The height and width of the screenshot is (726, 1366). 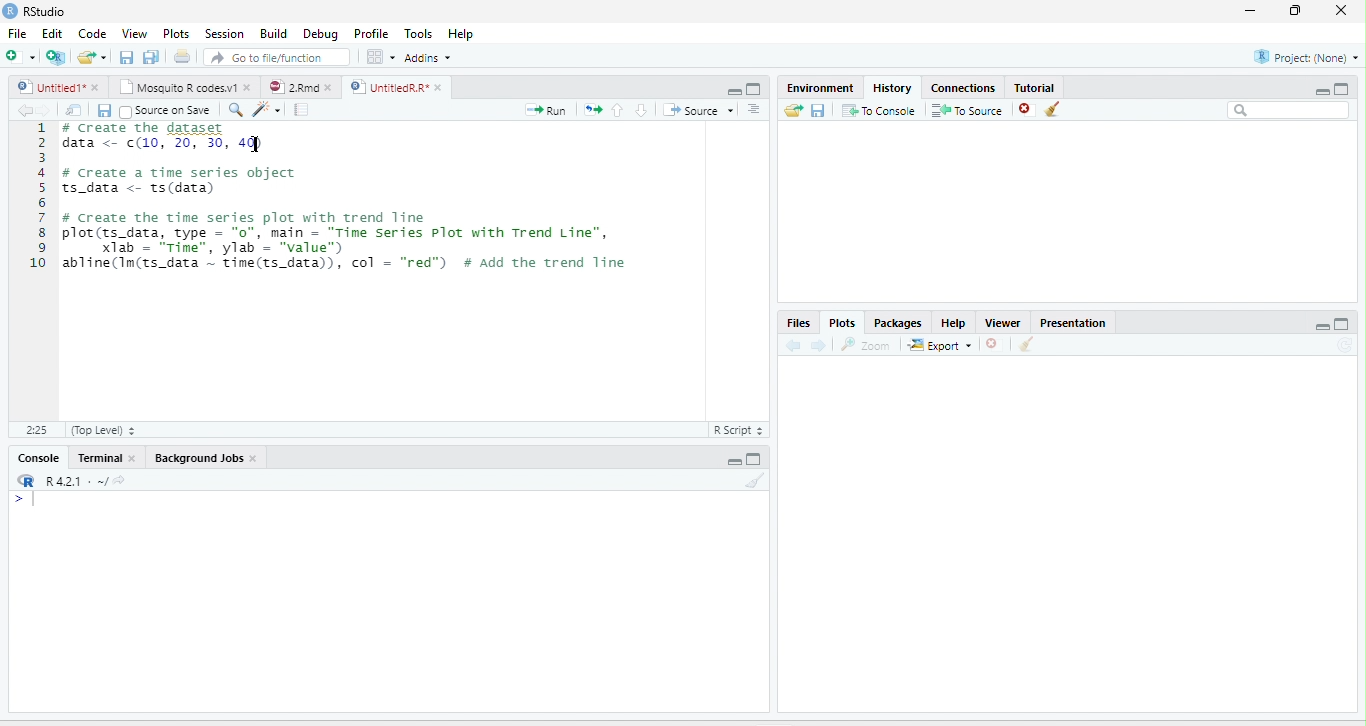 I want to click on Previous plot, so click(x=793, y=344).